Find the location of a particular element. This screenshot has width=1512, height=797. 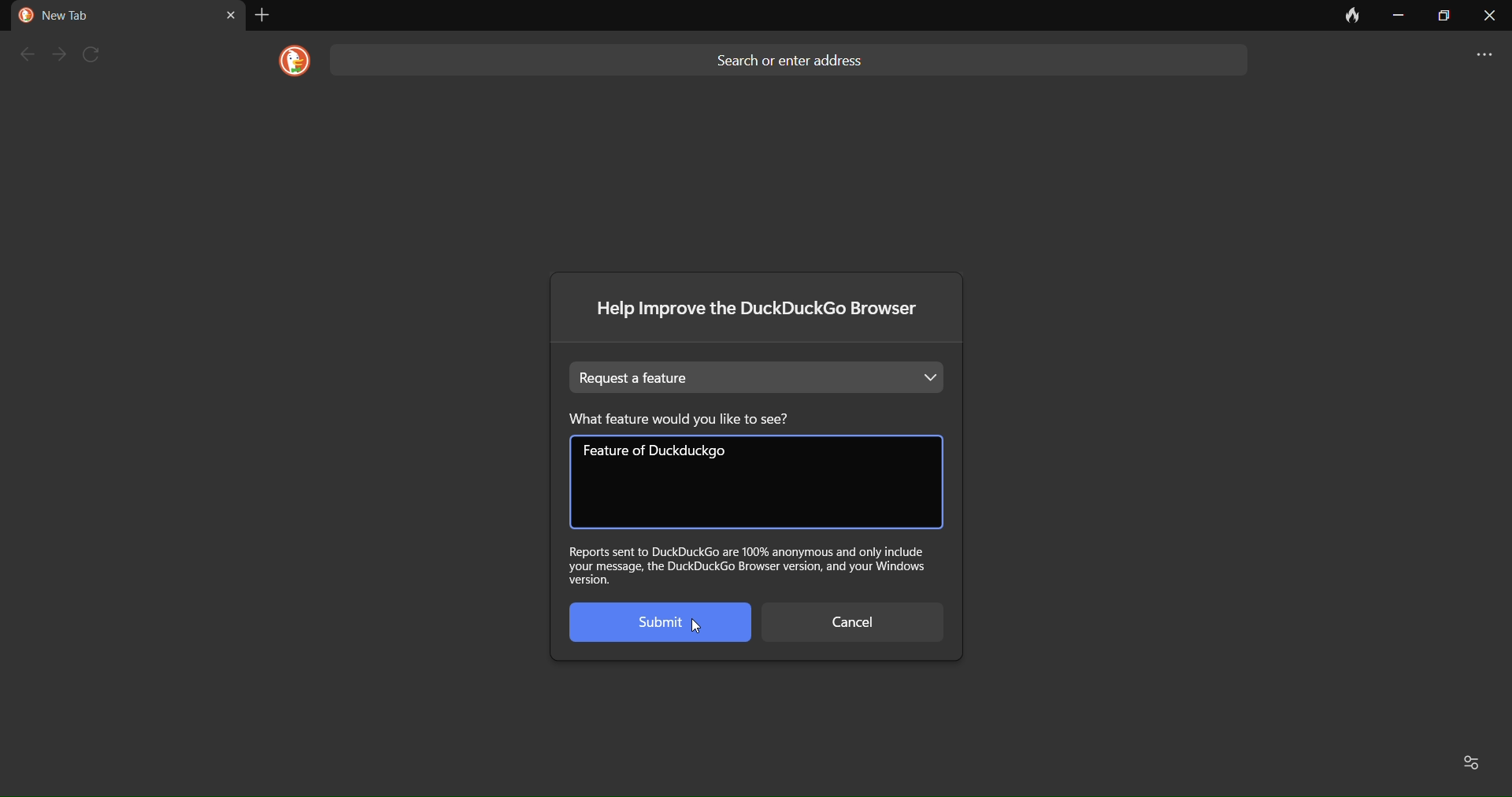

add tab is located at coordinates (261, 15).